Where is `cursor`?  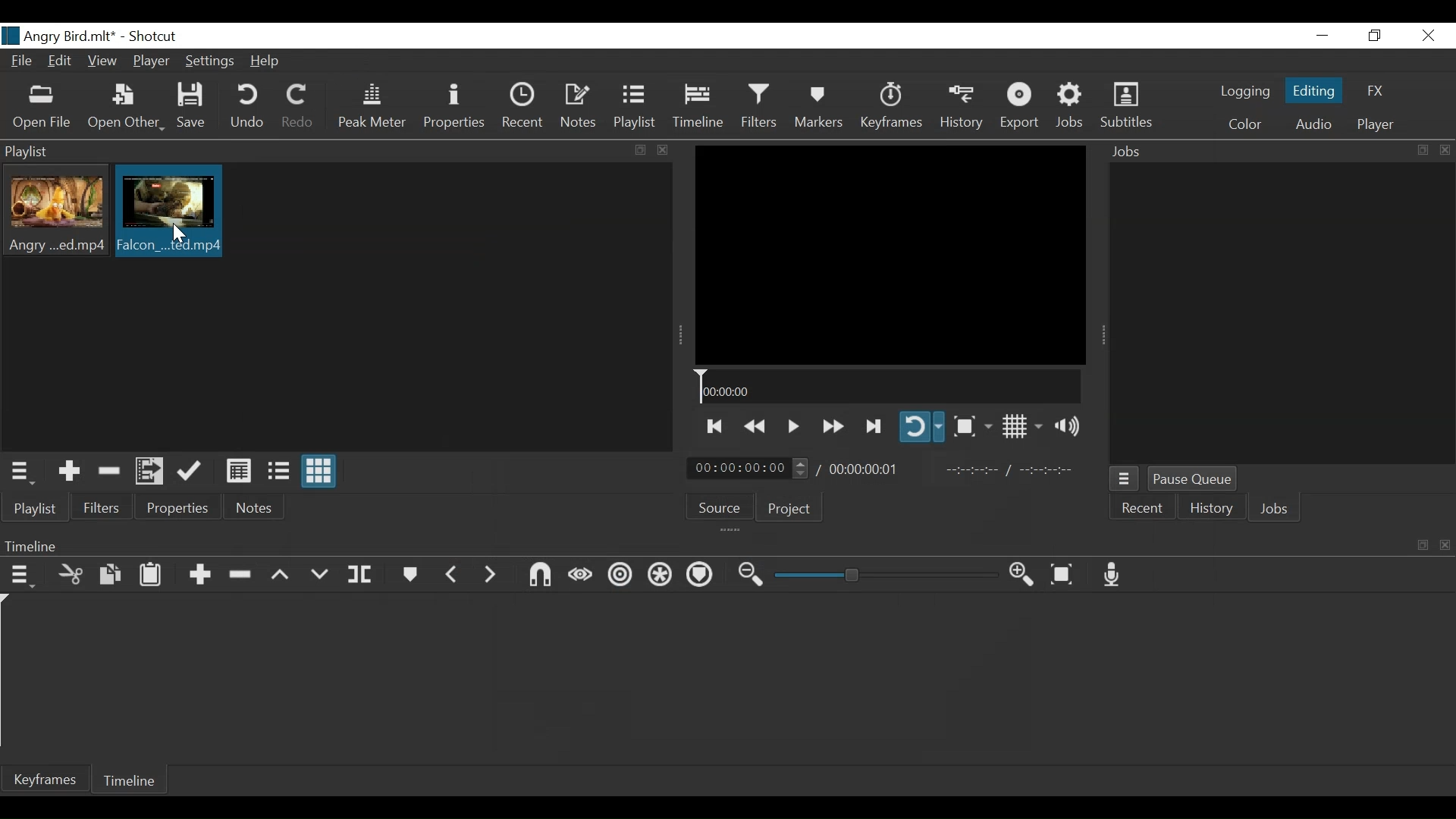
cursor is located at coordinates (180, 236).